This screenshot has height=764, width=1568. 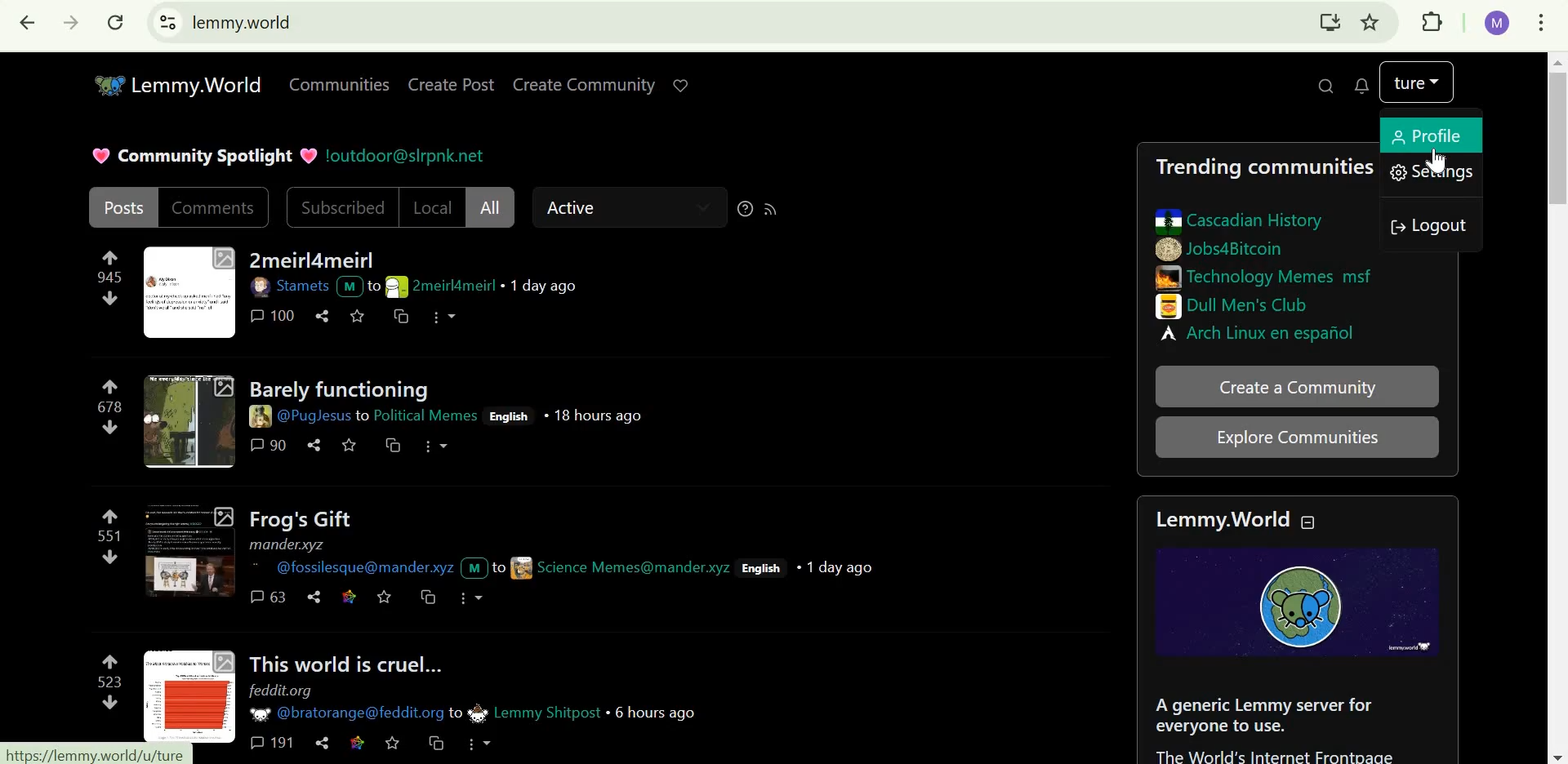 What do you see at coordinates (298, 519) in the screenshot?
I see `Frog's gift` at bounding box center [298, 519].